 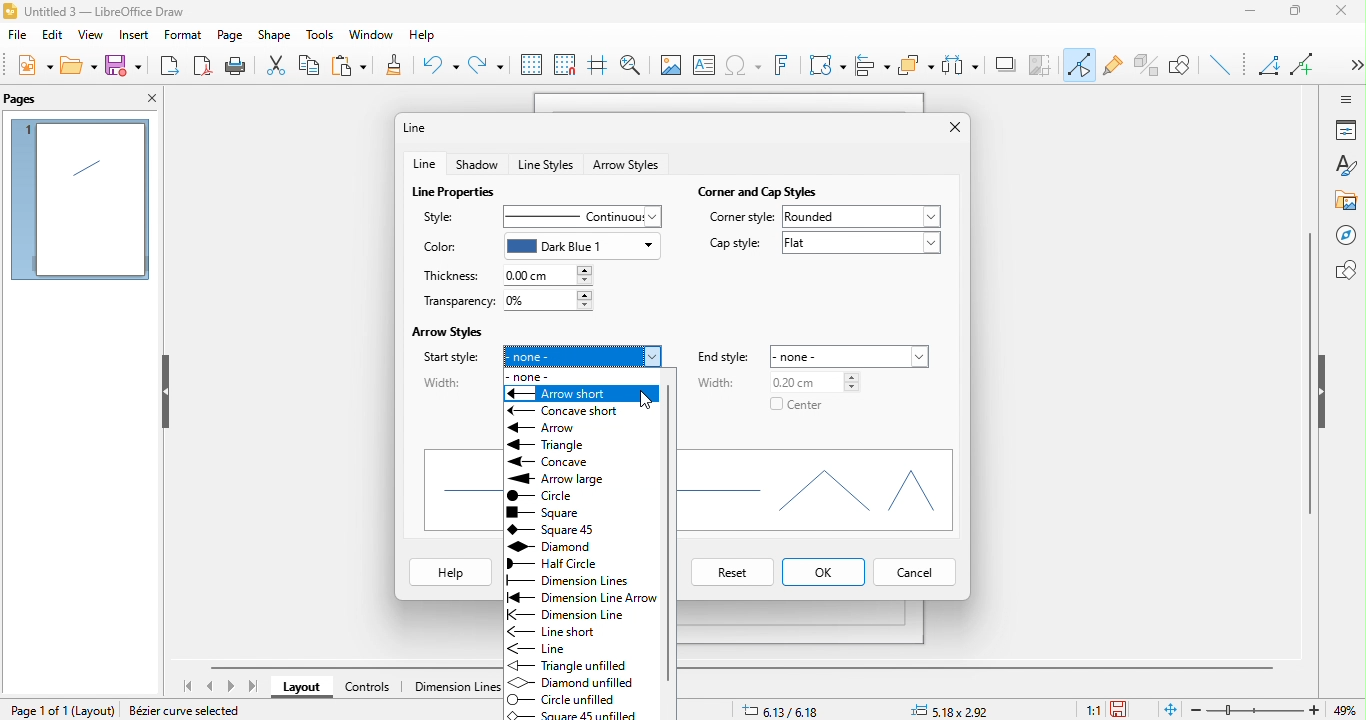 What do you see at coordinates (567, 699) in the screenshot?
I see `circle unfilled` at bounding box center [567, 699].